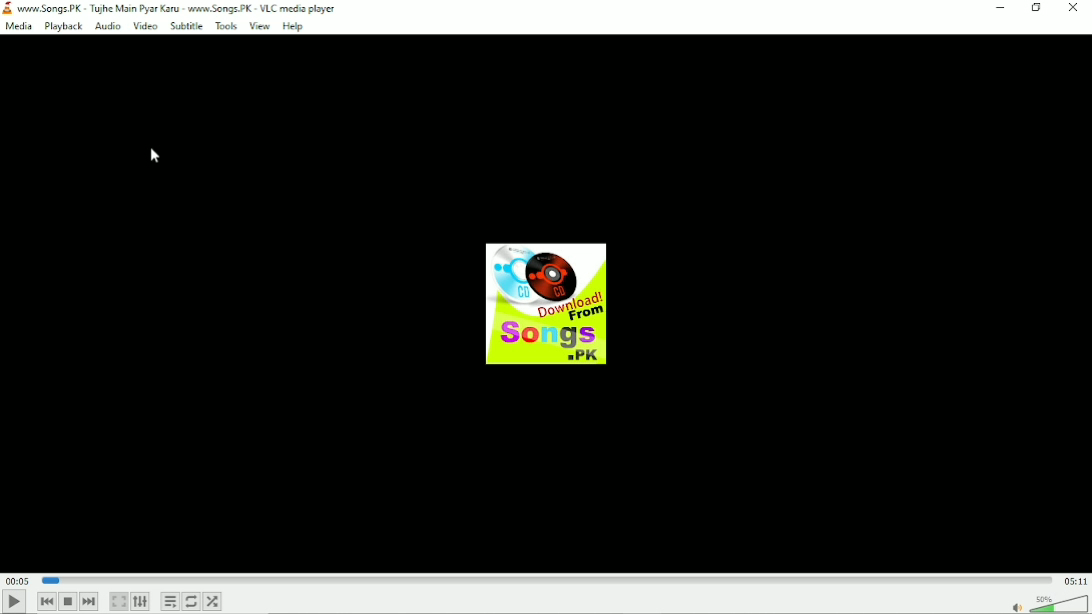 The height and width of the screenshot is (614, 1092). Describe the element at coordinates (192, 601) in the screenshot. I see `Toggle between loop all, loop one and no loop` at that location.